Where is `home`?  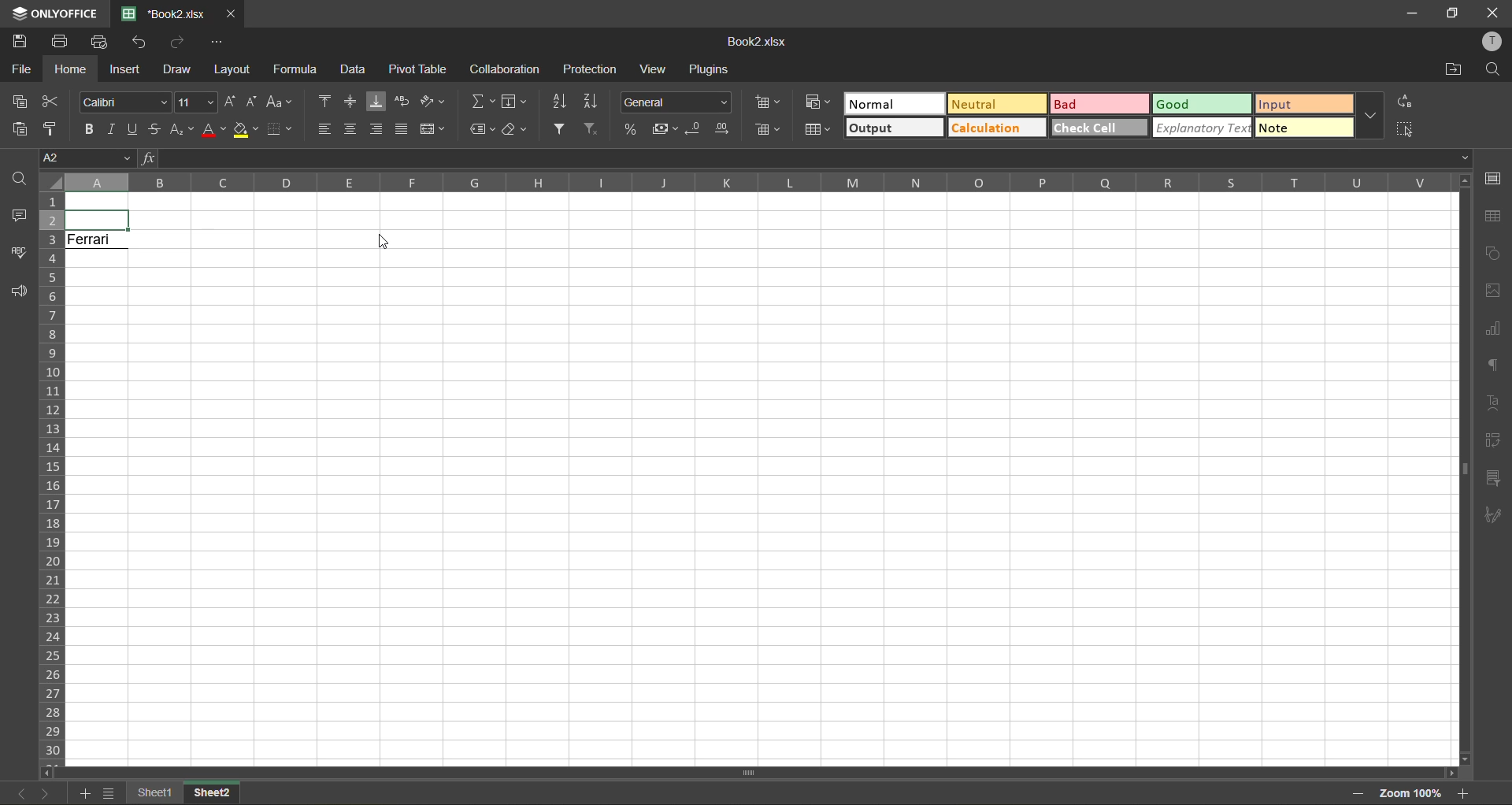
home is located at coordinates (71, 69).